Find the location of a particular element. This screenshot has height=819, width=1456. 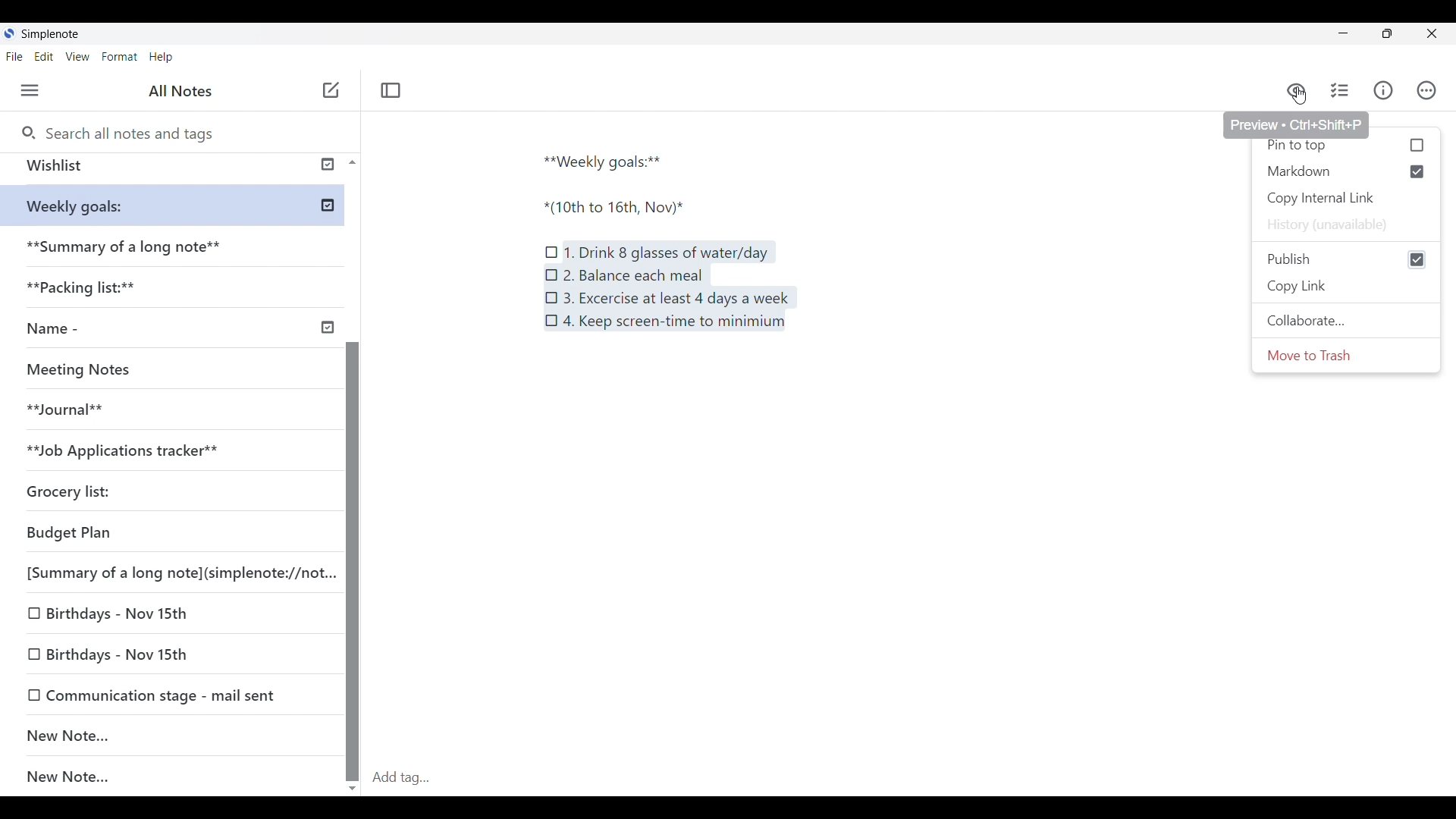

All notes is located at coordinates (184, 91).